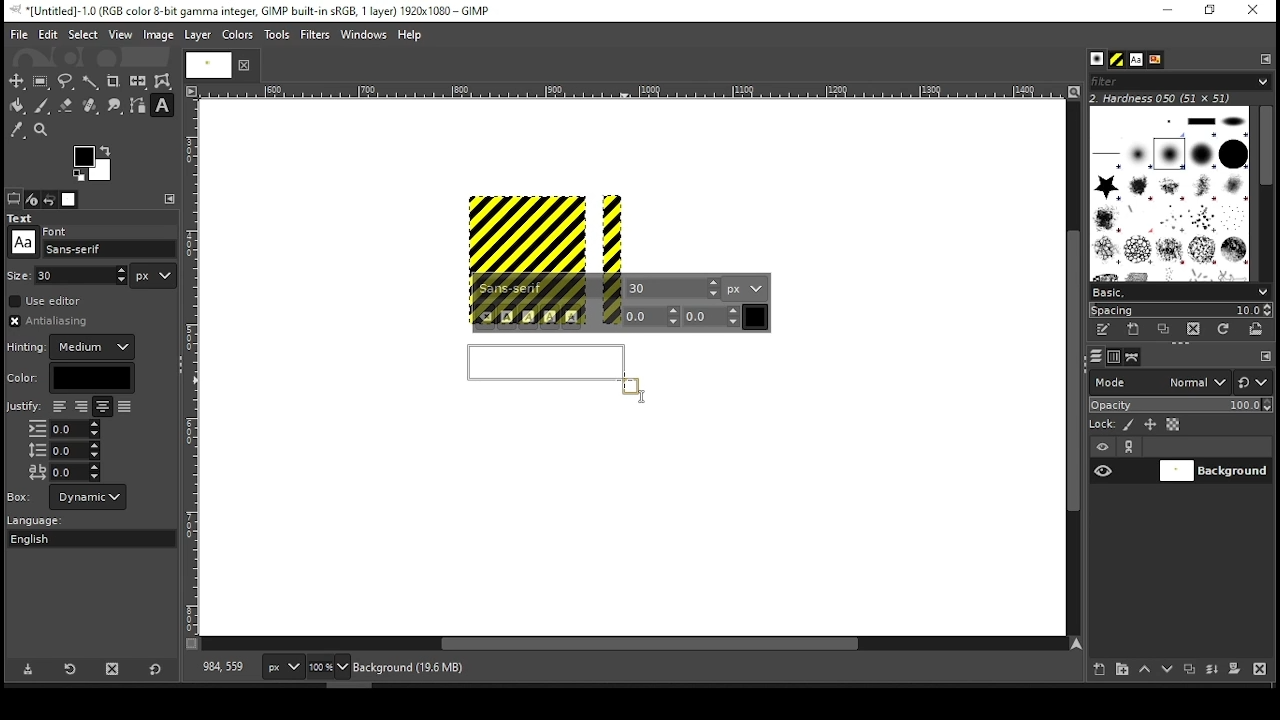 The image size is (1280, 720). Describe the element at coordinates (238, 34) in the screenshot. I see `color` at that location.